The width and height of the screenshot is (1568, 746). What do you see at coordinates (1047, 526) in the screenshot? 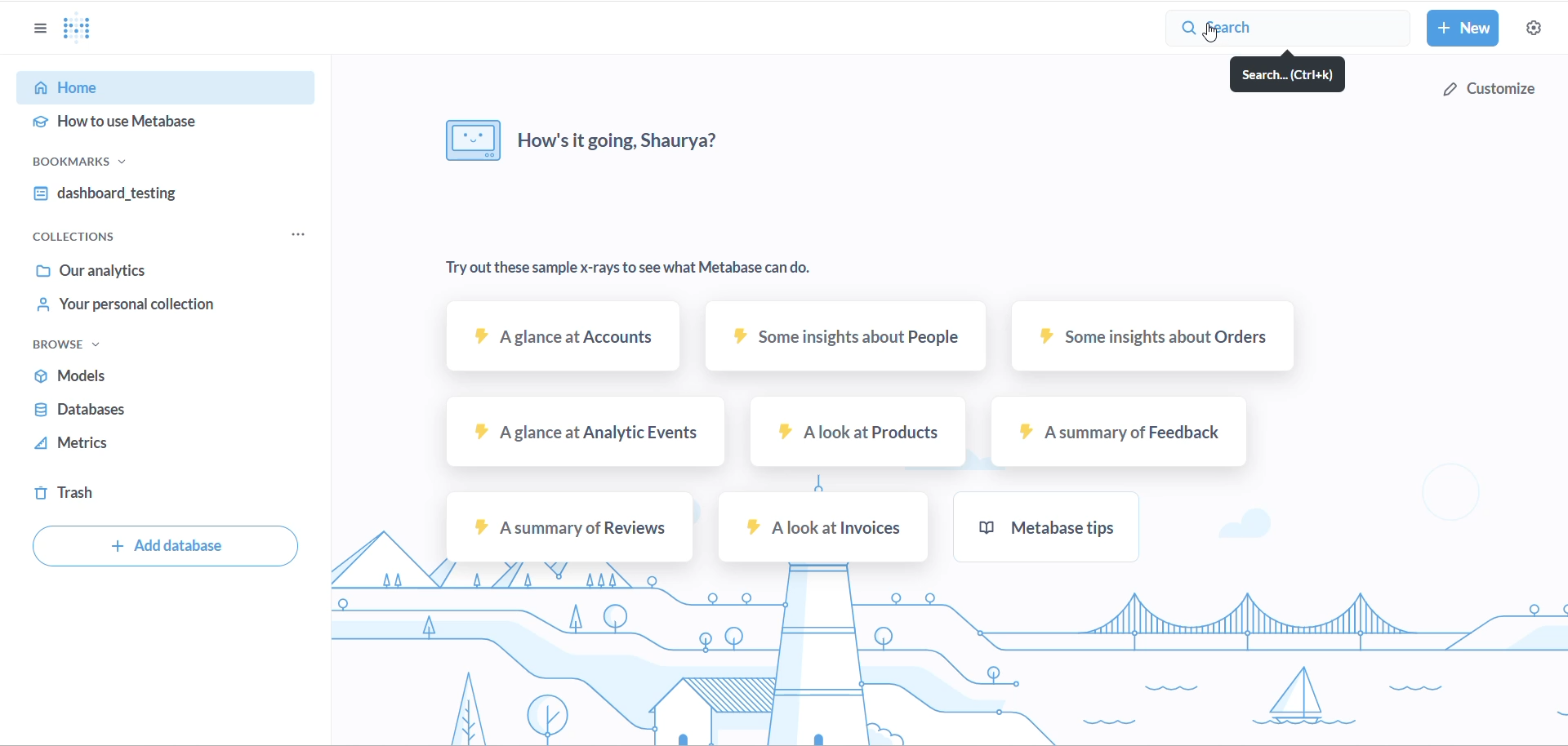
I see `metabase tips` at bounding box center [1047, 526].